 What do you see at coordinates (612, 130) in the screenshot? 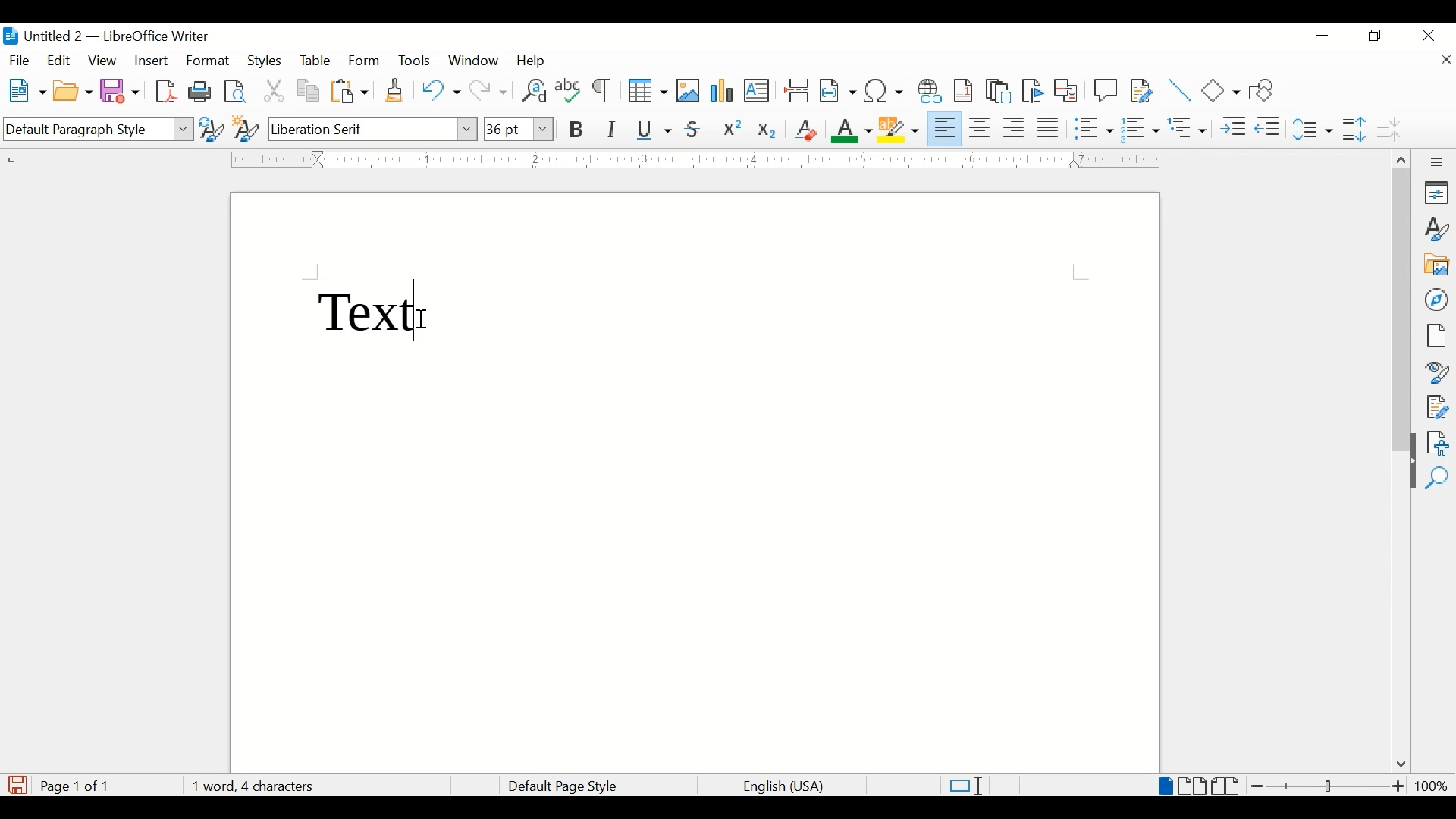
I see `italic` at bounding box center [612, 130].